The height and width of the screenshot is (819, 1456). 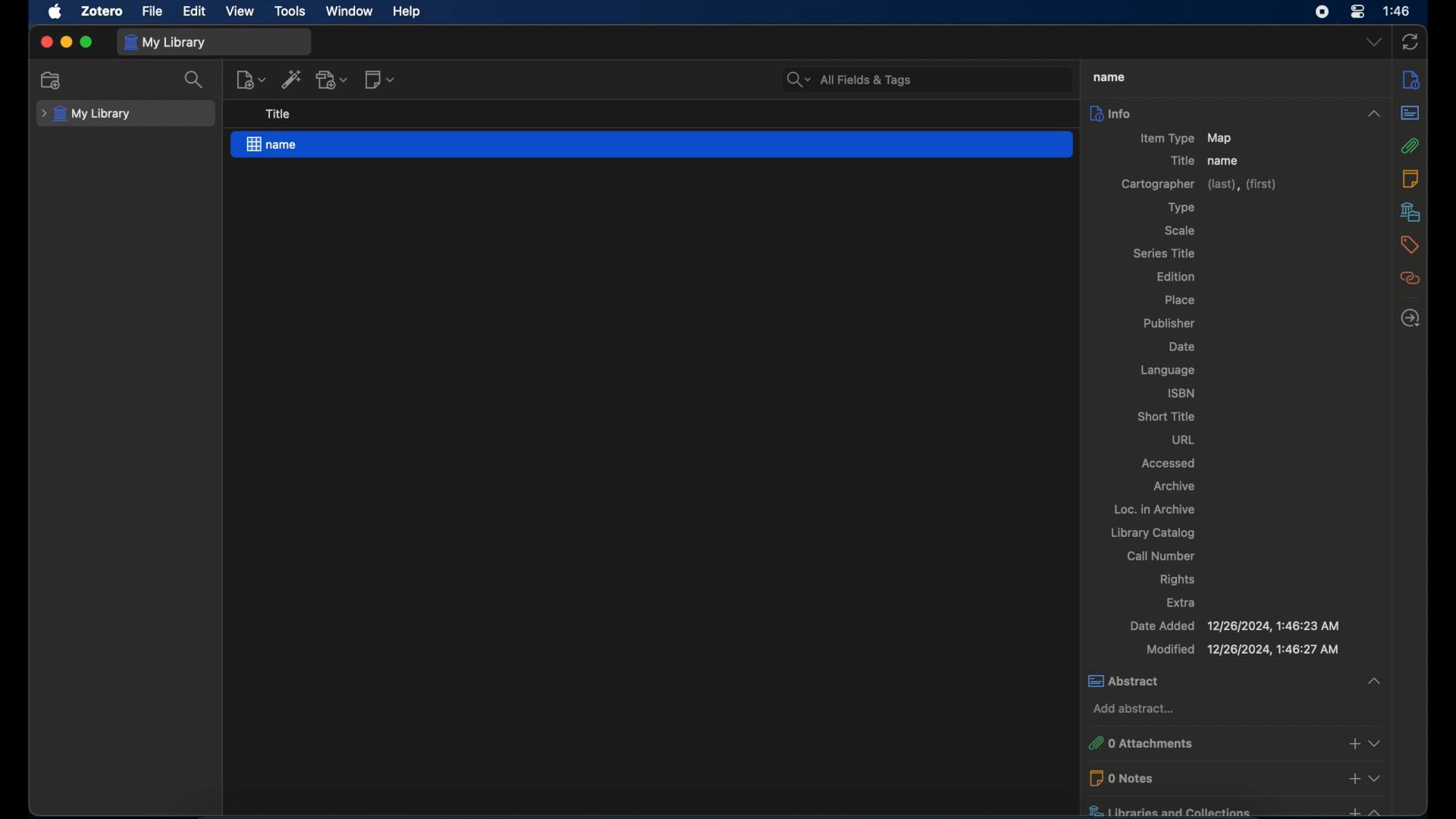 What do you see at coordinates (1180, 300) in the screenshot?
I see `place` at bounding box center [1180, 300].